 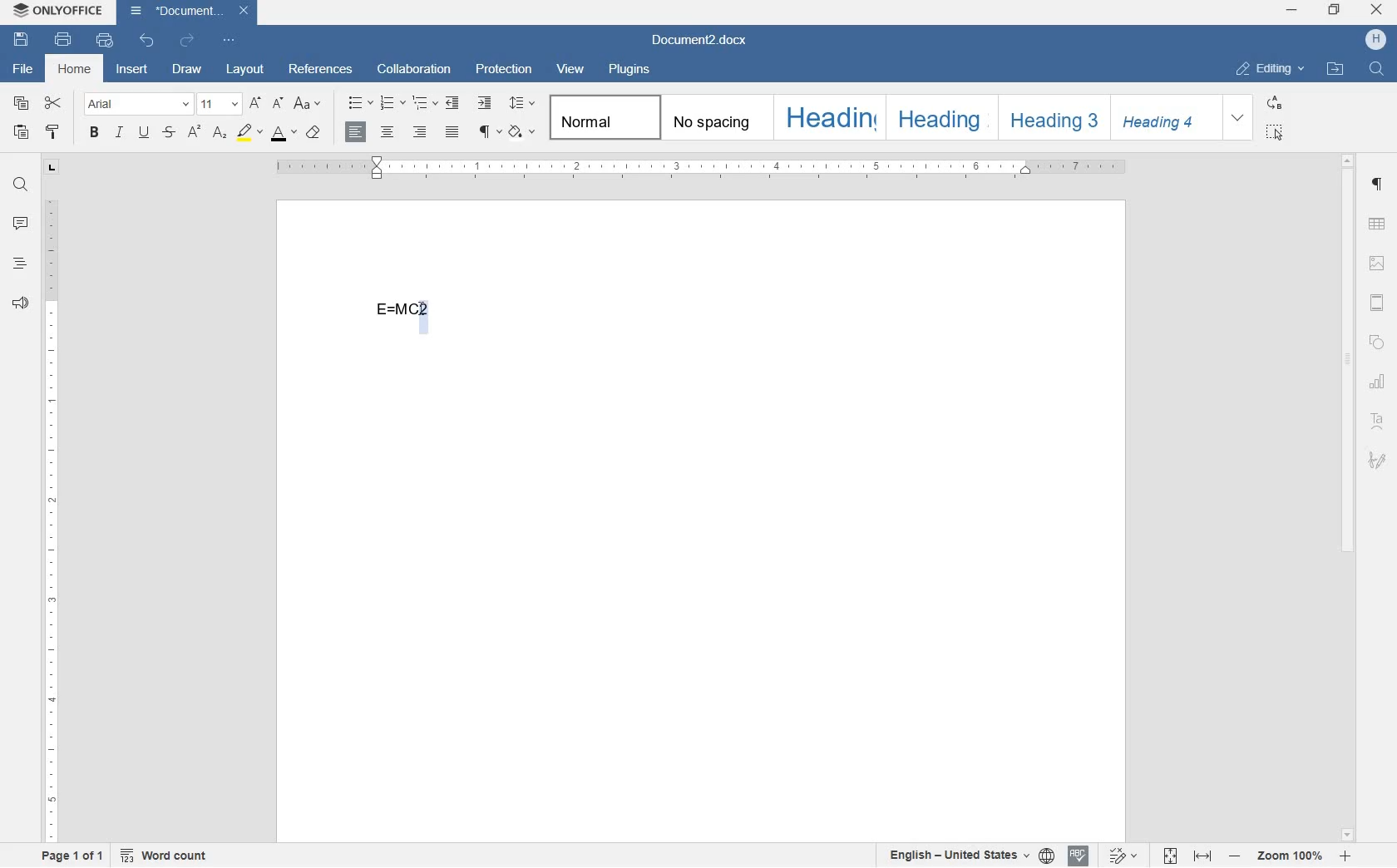 What do you see at coordinates (20, 224) in the screenshot?
I see `comments` at bounding box center [20, 224].